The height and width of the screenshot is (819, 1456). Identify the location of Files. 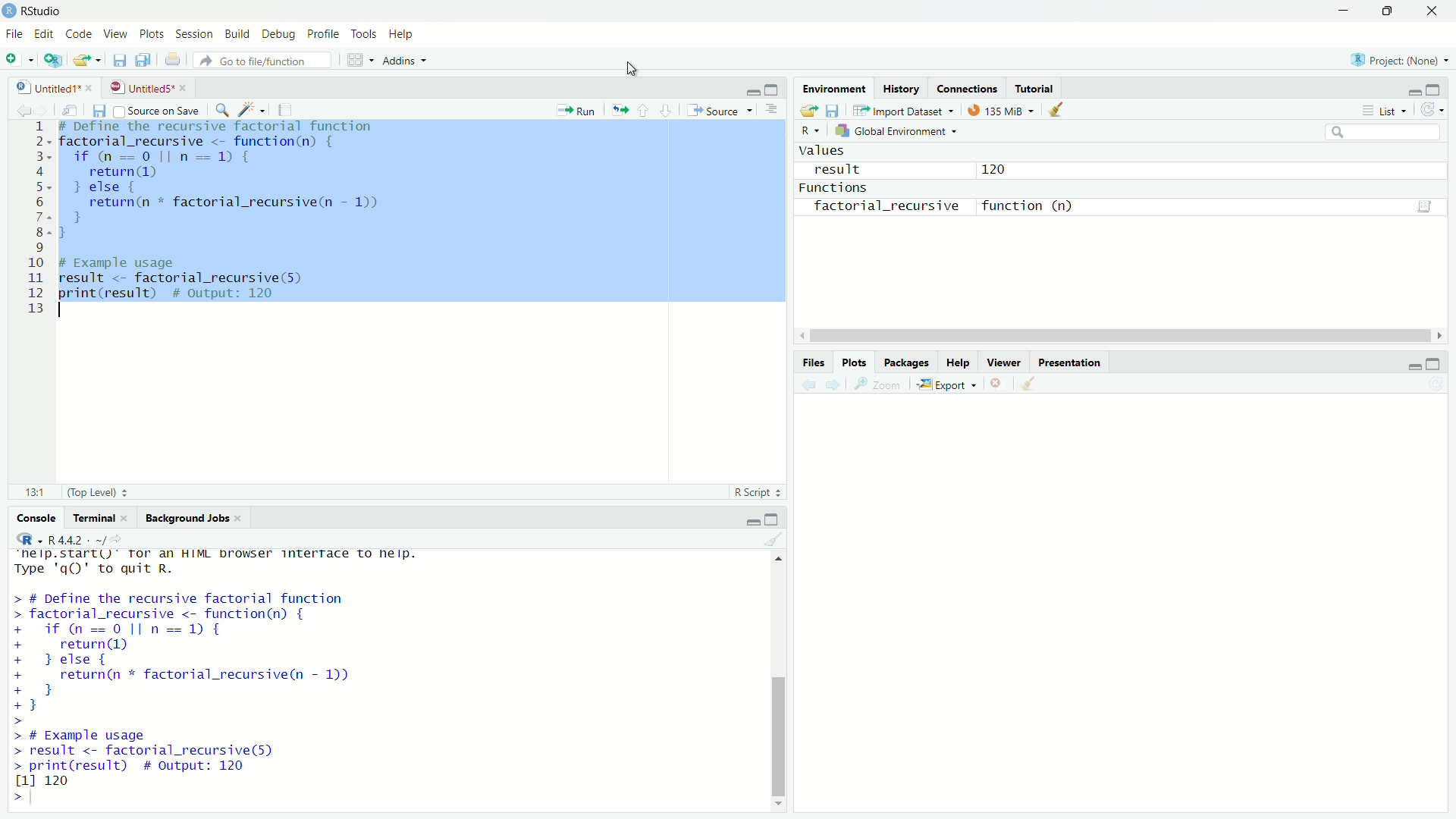
(814, 362).